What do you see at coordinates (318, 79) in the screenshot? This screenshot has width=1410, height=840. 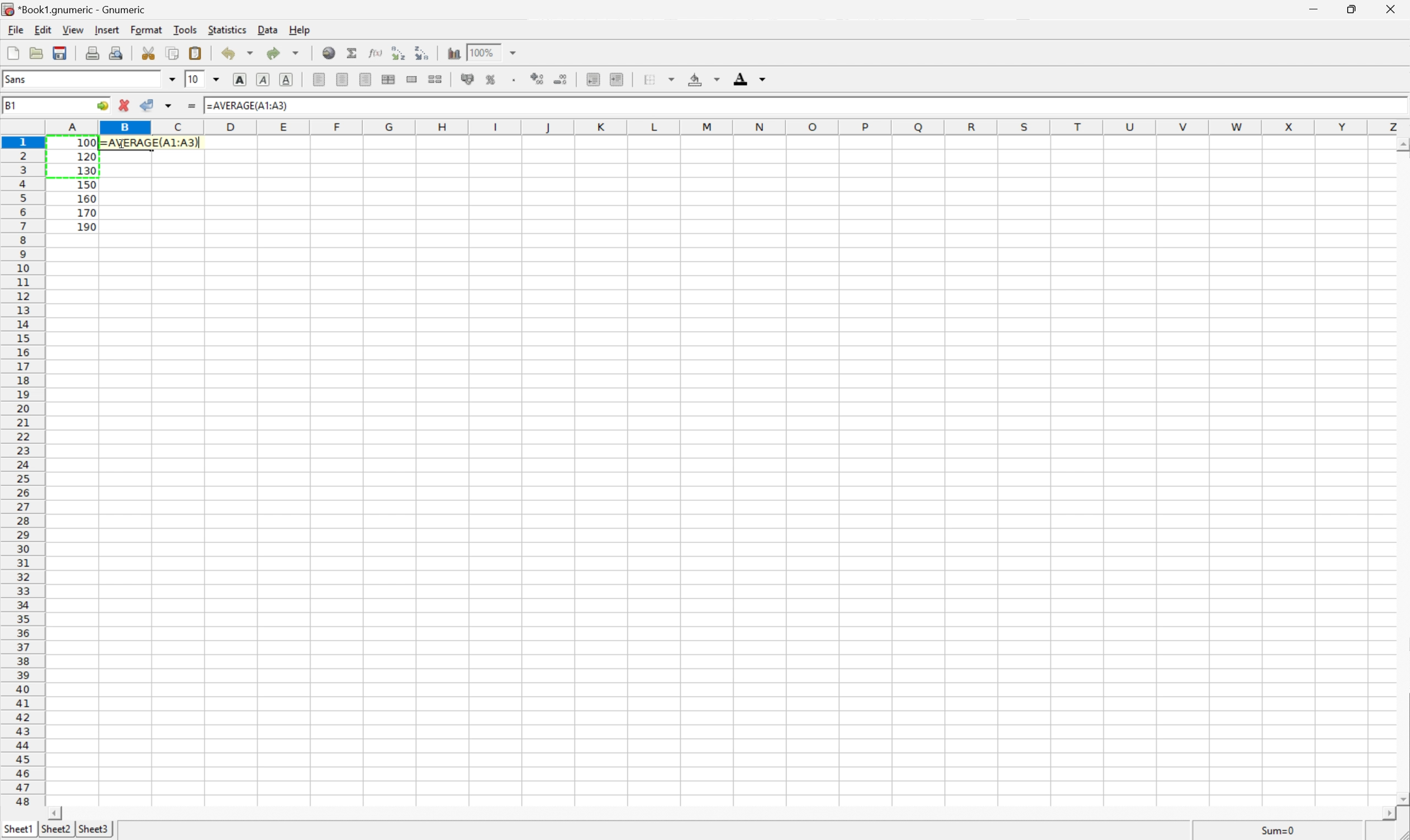 I see `Align Left` at bounding box center [318, 79].